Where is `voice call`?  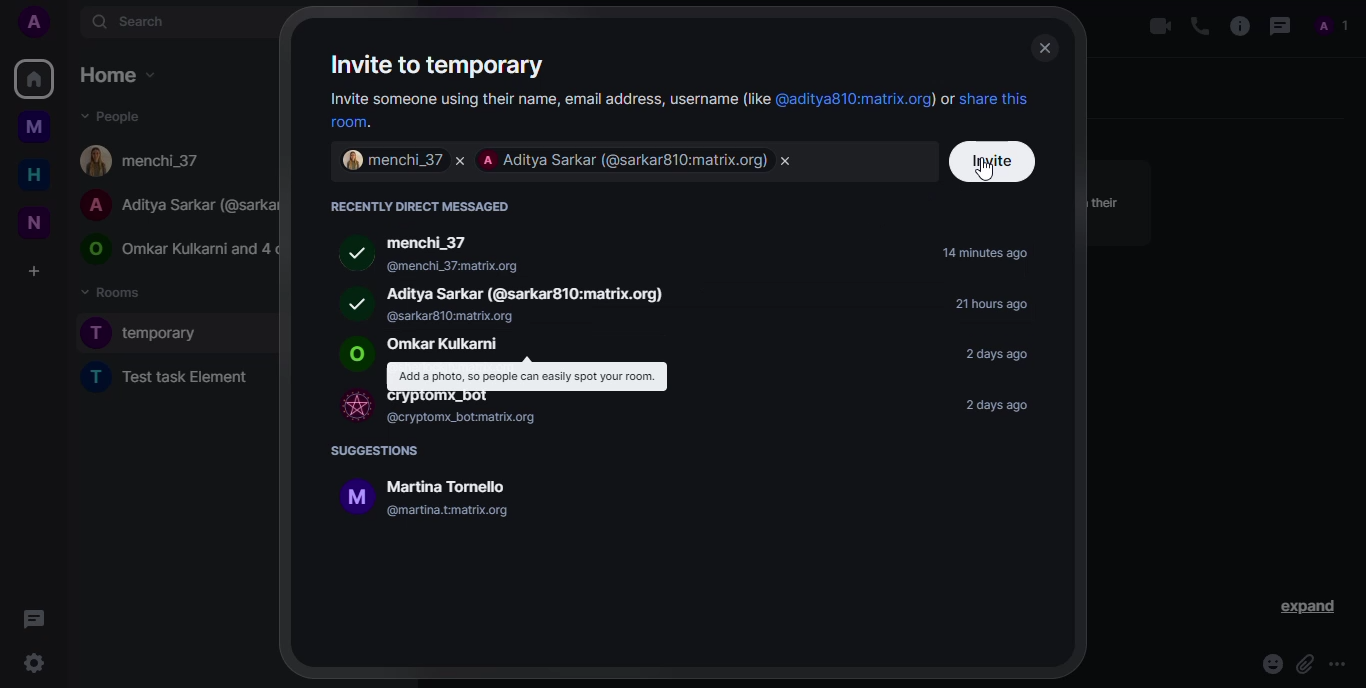 voice call is located at coordinates (1196, 25).